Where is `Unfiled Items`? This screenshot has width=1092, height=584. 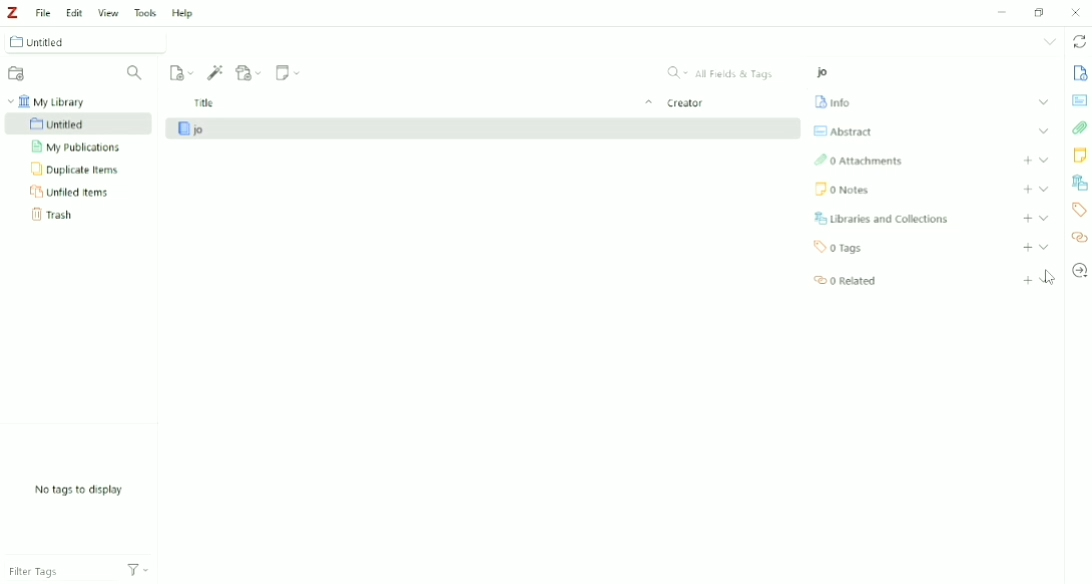
Unfiled Items is located at coordinates (71, 191).